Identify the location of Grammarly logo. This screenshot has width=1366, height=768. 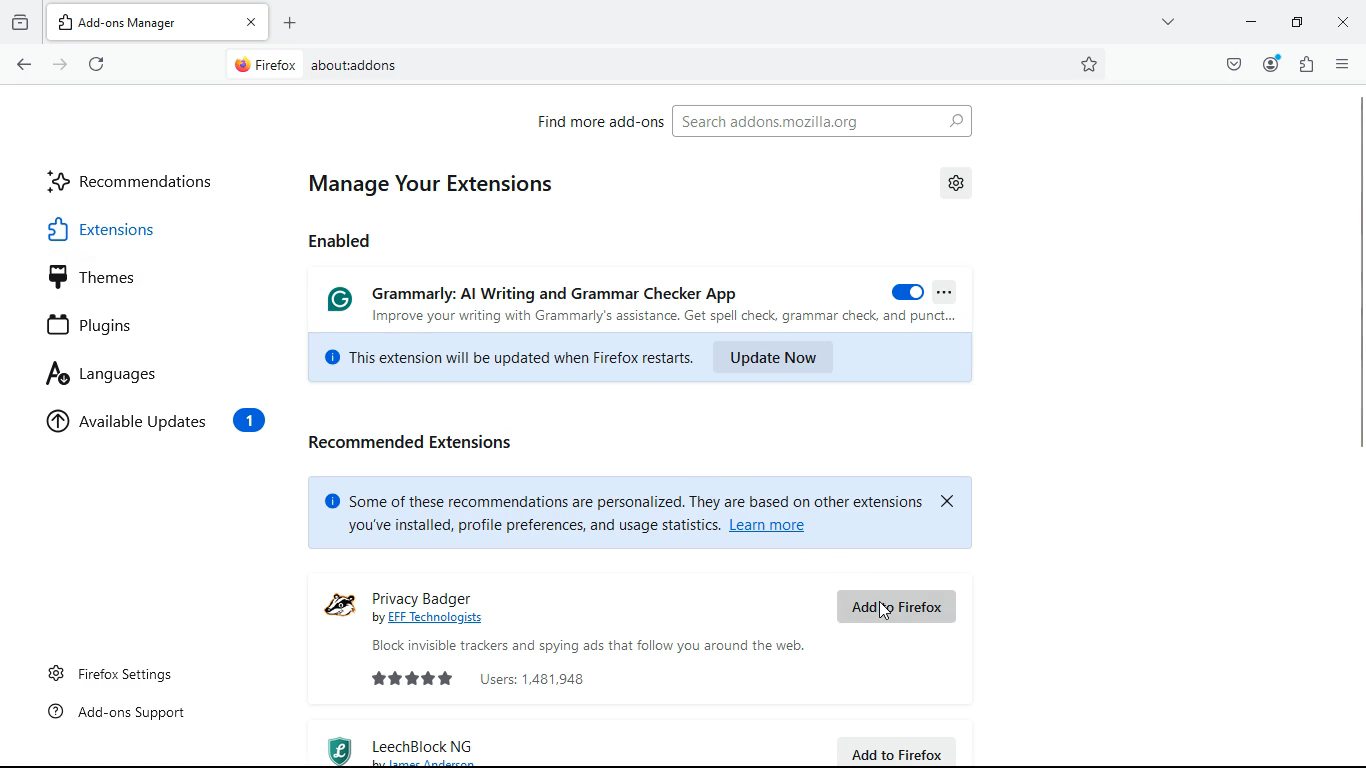
(336, 302).